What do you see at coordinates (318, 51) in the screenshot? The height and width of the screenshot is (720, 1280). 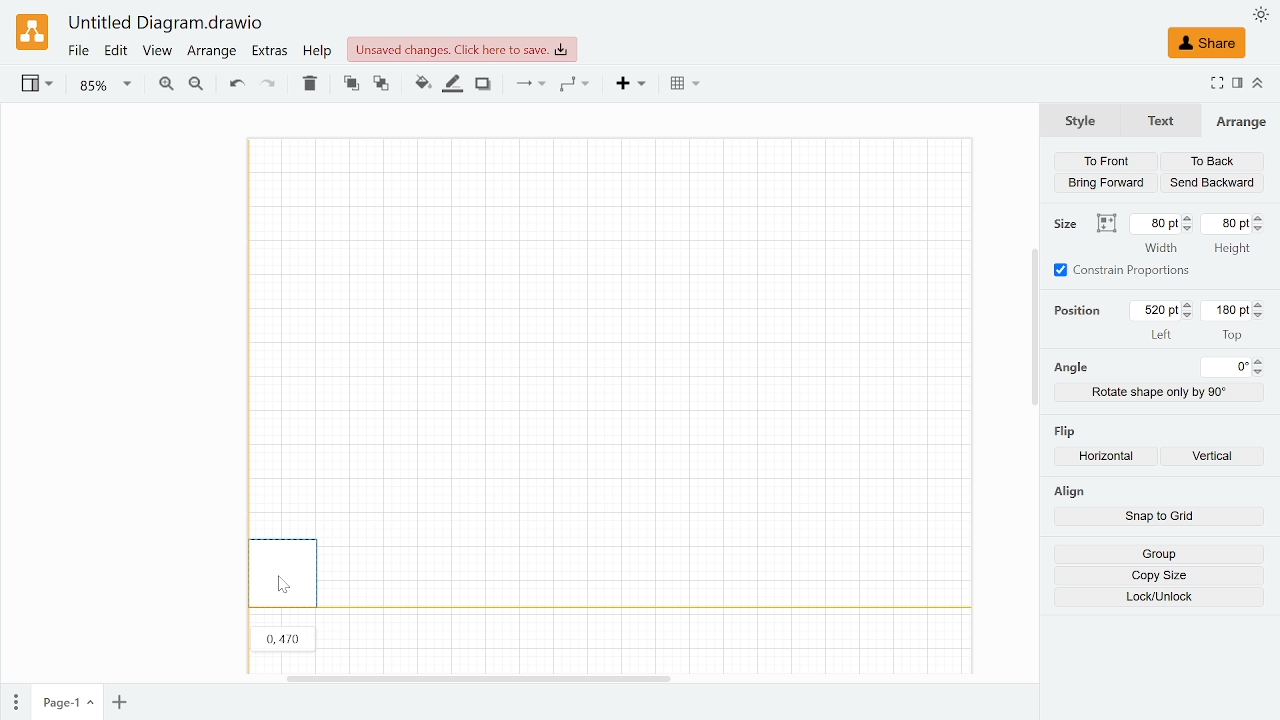 I see `Help` at bounding box center [318, 51].